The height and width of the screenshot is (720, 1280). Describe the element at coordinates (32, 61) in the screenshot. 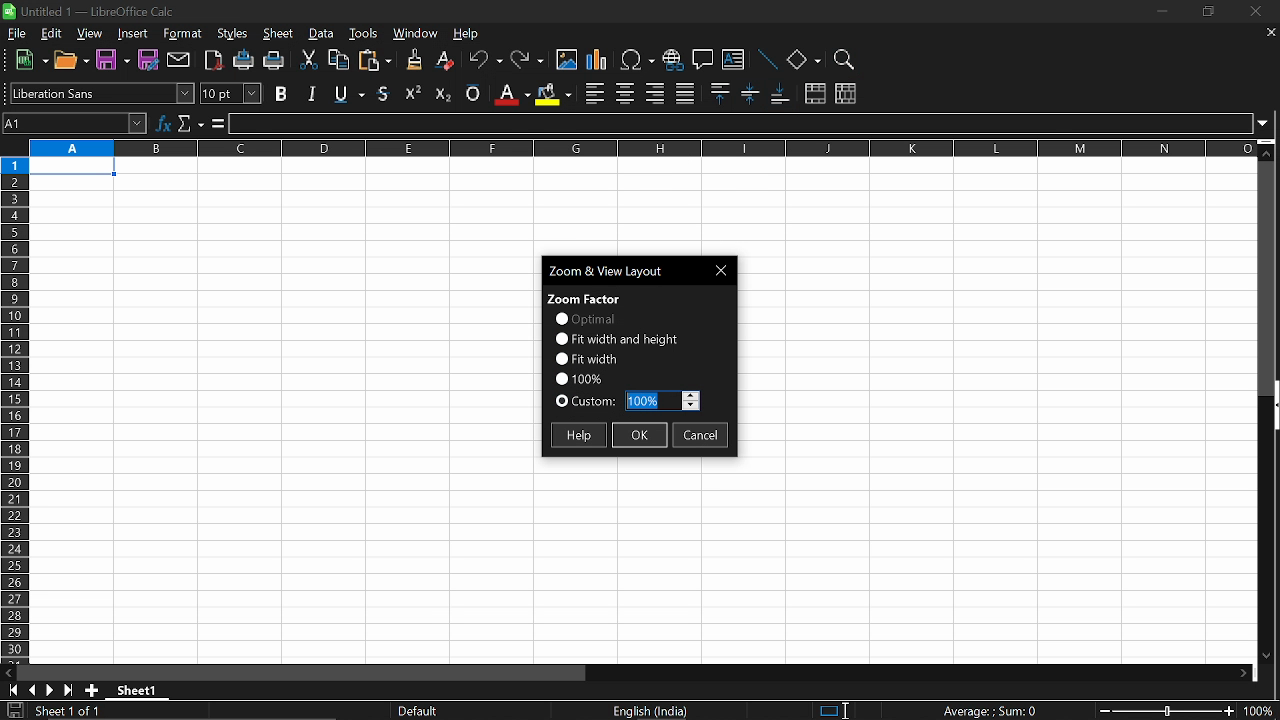

I see `new` at that location.